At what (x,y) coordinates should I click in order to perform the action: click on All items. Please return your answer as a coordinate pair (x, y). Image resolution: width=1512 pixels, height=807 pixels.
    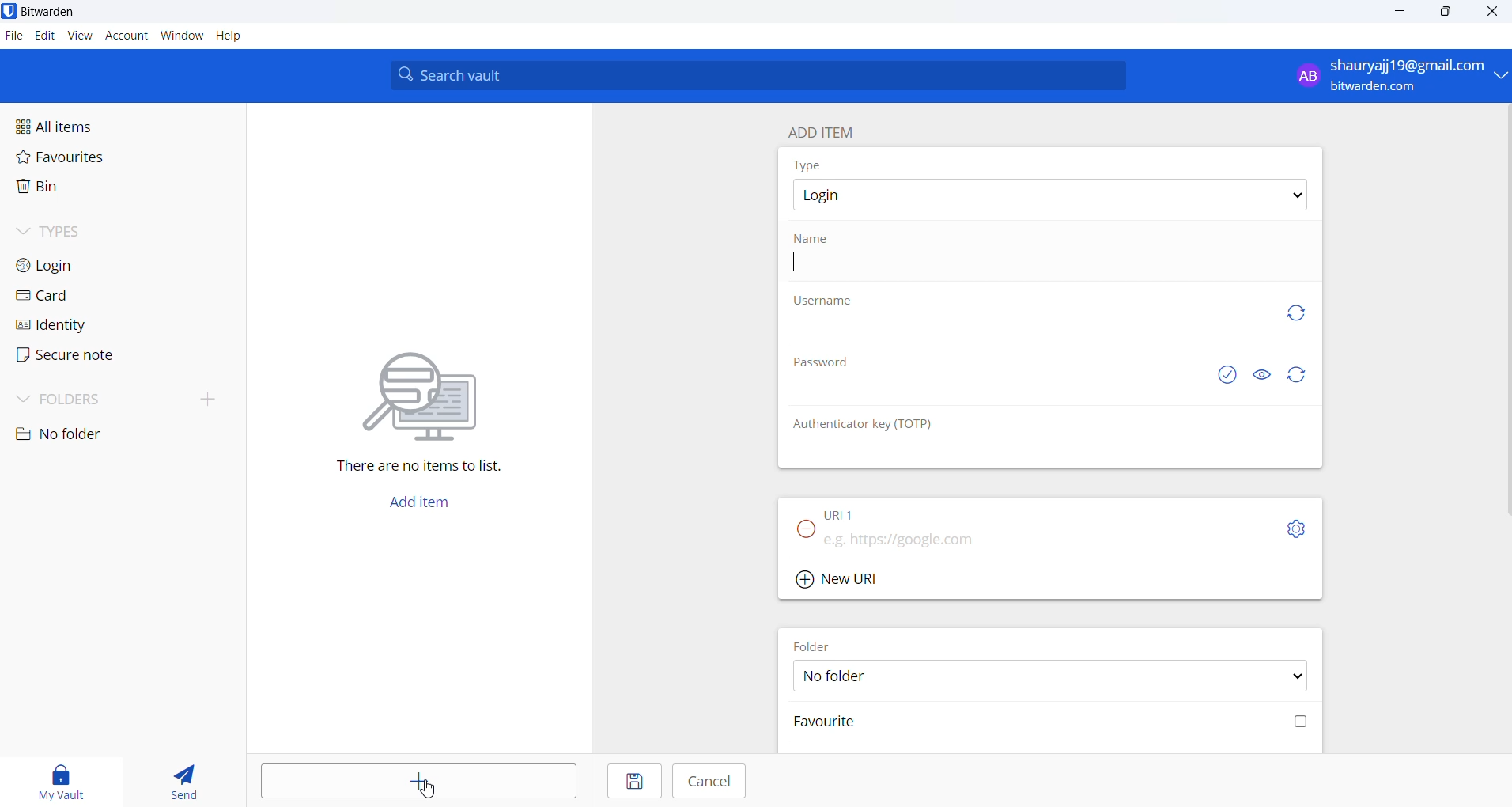
    Looking at the image, I should click on (90, 125).